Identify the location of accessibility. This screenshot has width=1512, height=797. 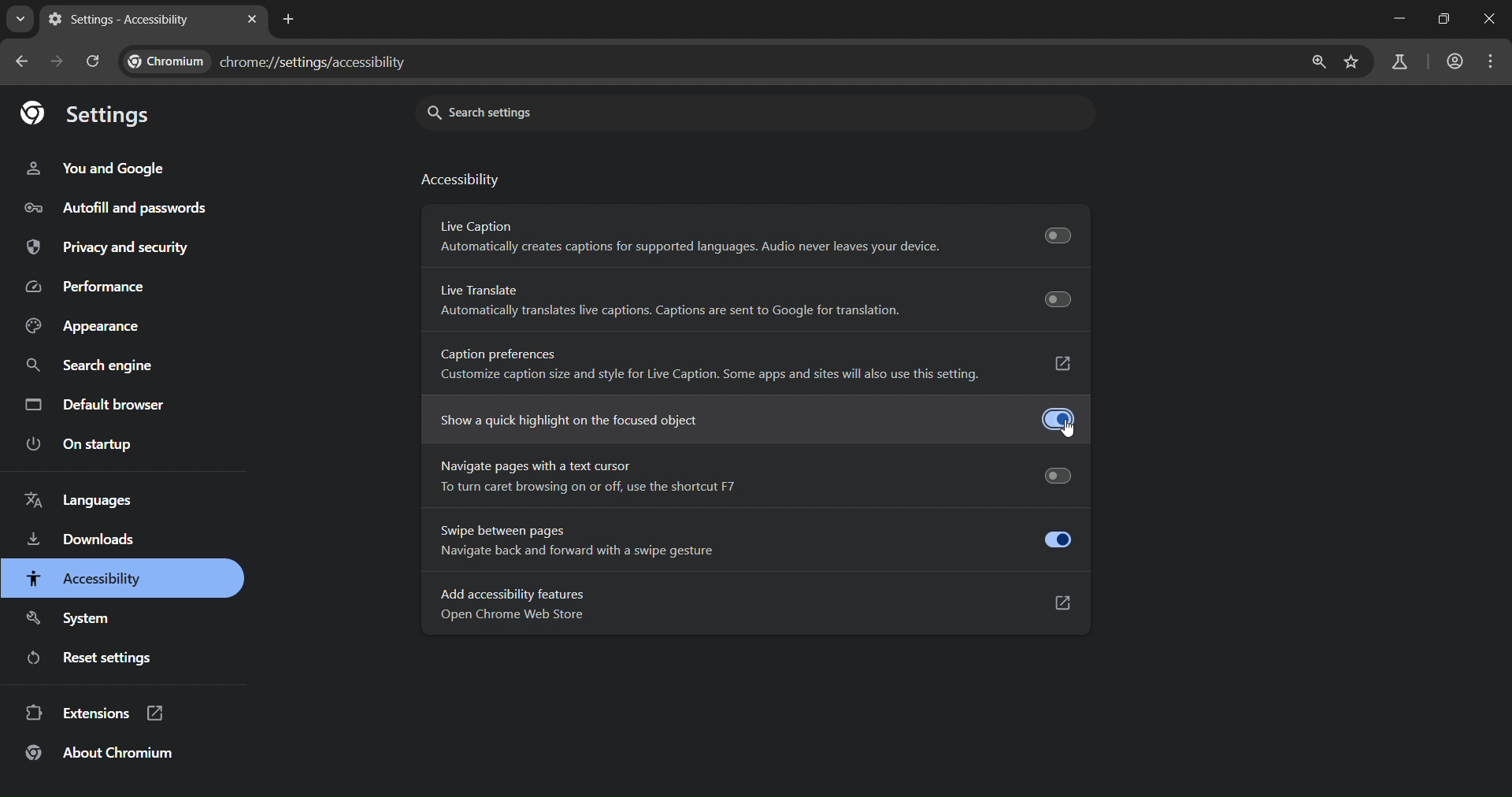
(462, 178).